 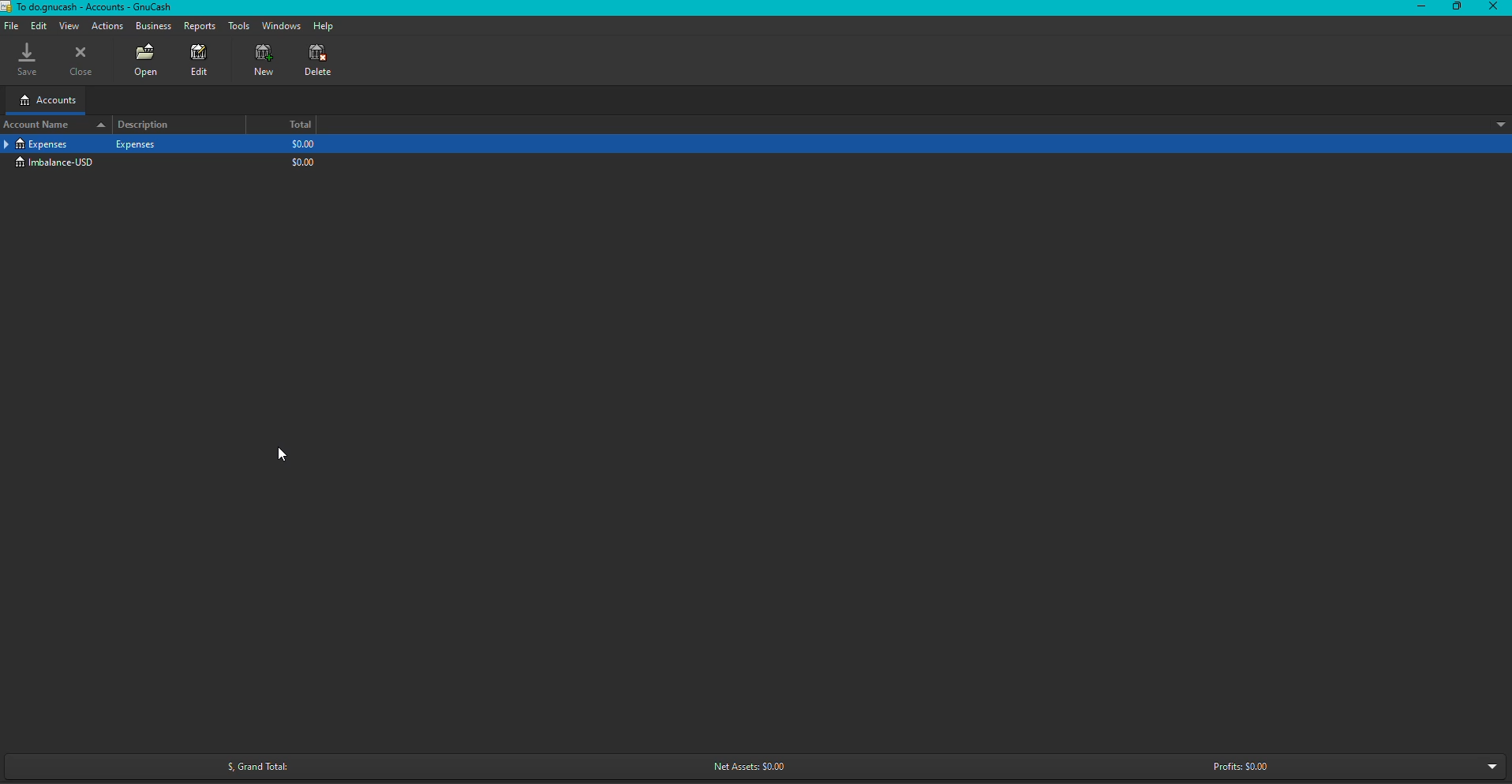 I want to click on Minimize, so click(x=1417, y=8).